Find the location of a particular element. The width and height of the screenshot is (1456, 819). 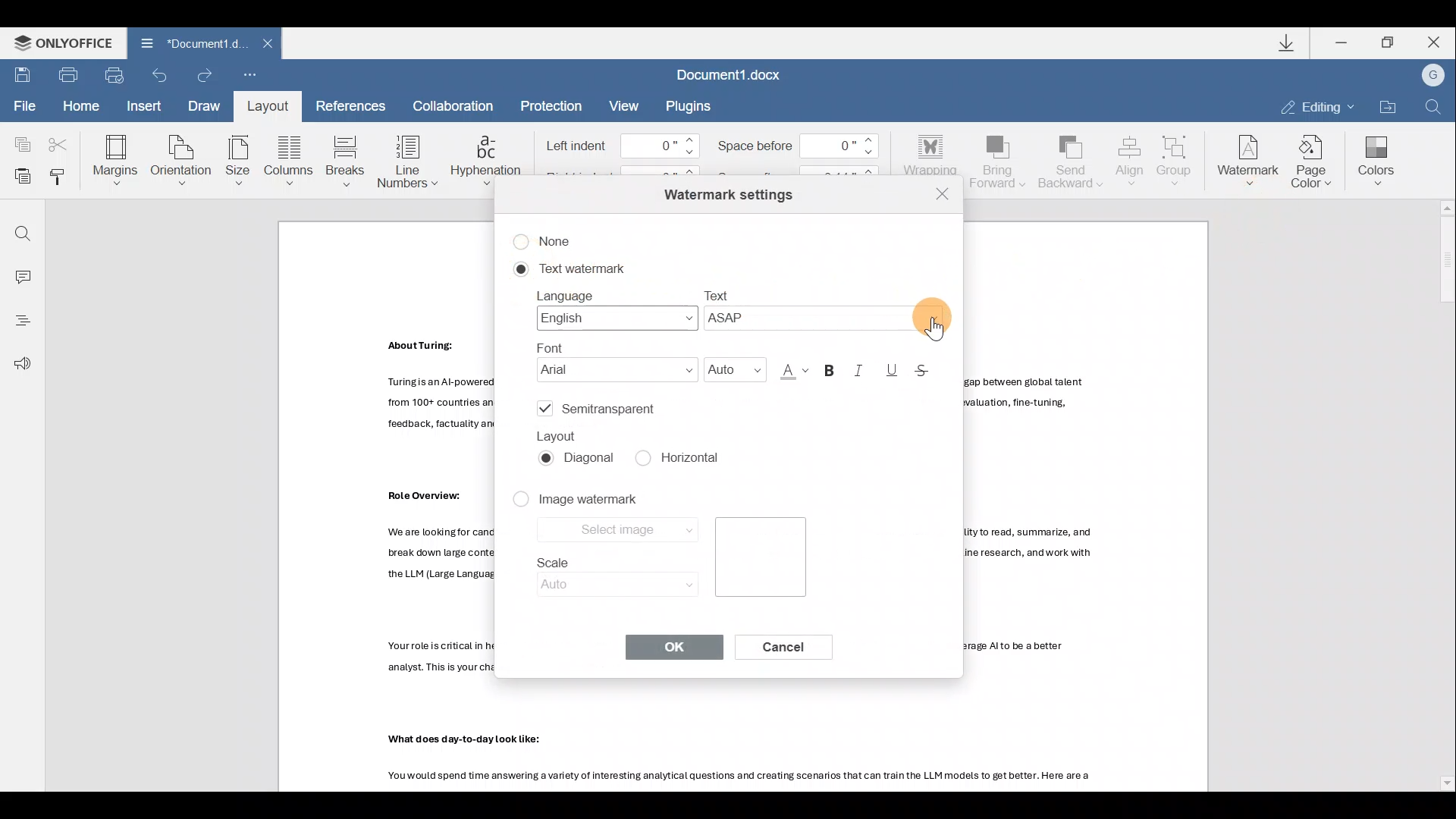

 is located at coordinates (427, 345).